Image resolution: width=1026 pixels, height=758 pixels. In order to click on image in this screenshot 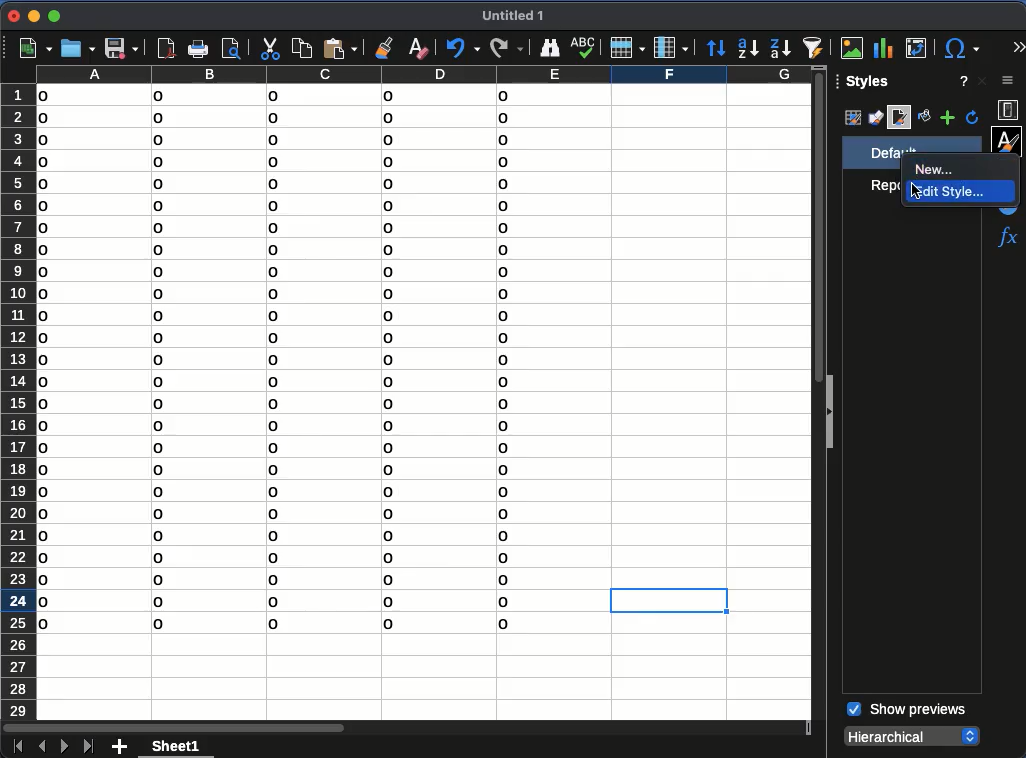, I will do `click(852, 47)`.